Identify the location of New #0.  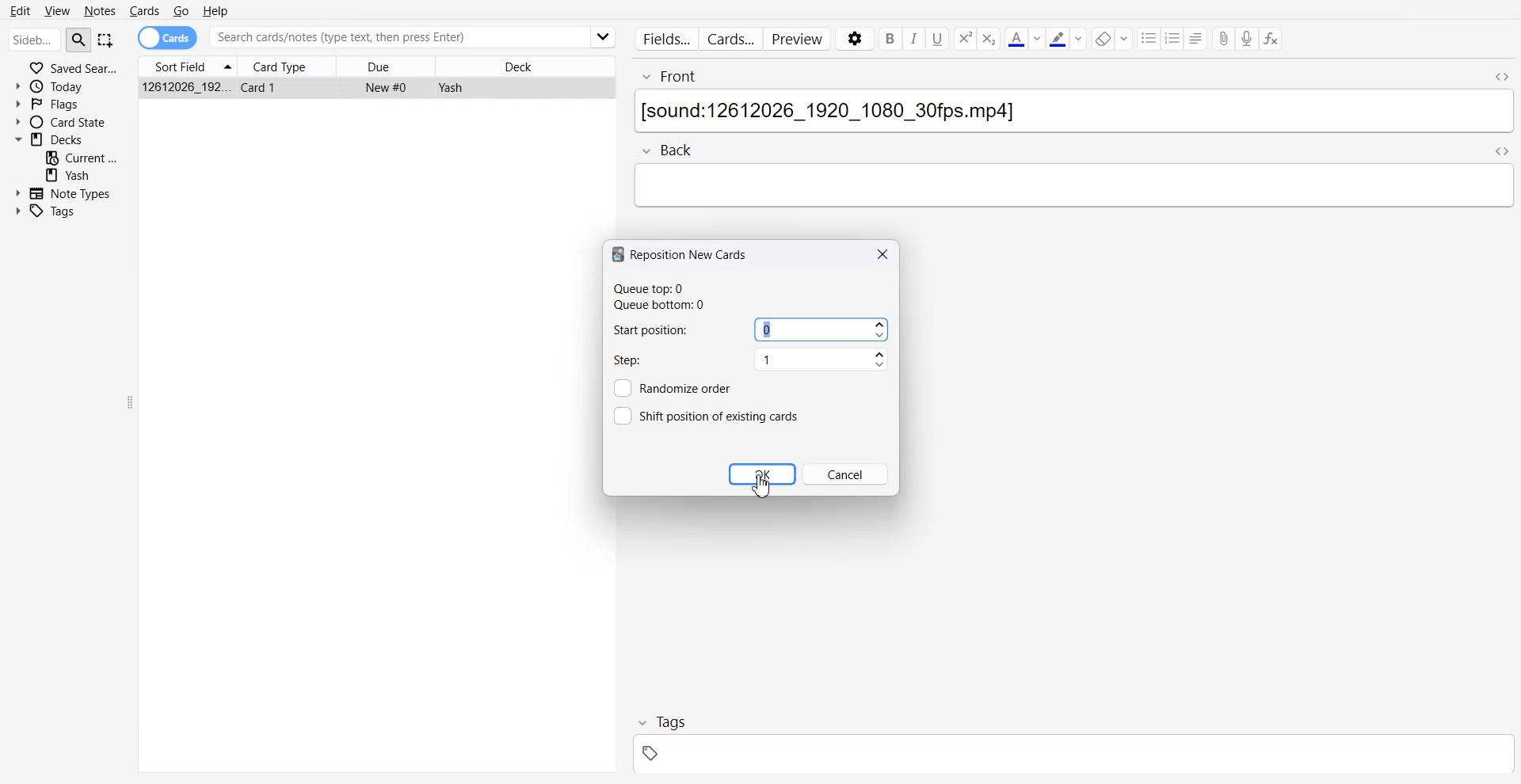
(388, 87).